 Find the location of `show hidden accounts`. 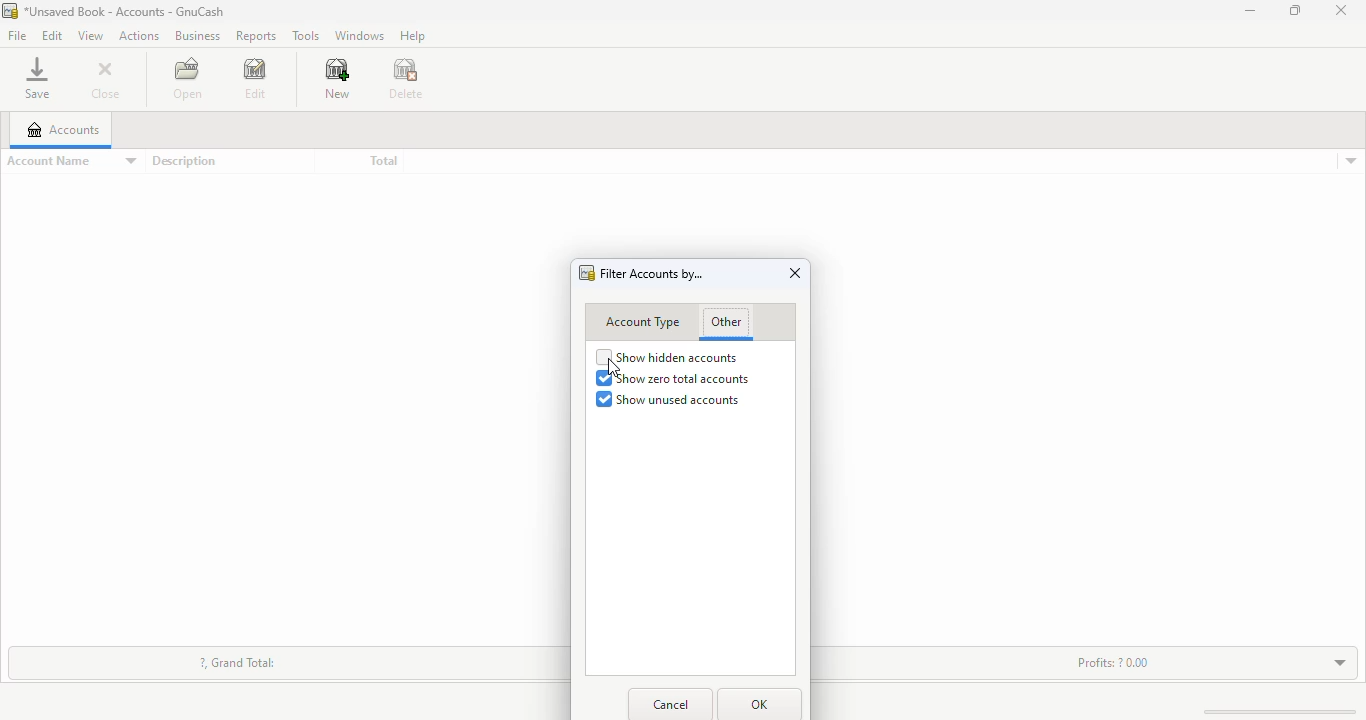

show hidden accounts is located at coordinates (667, 357).